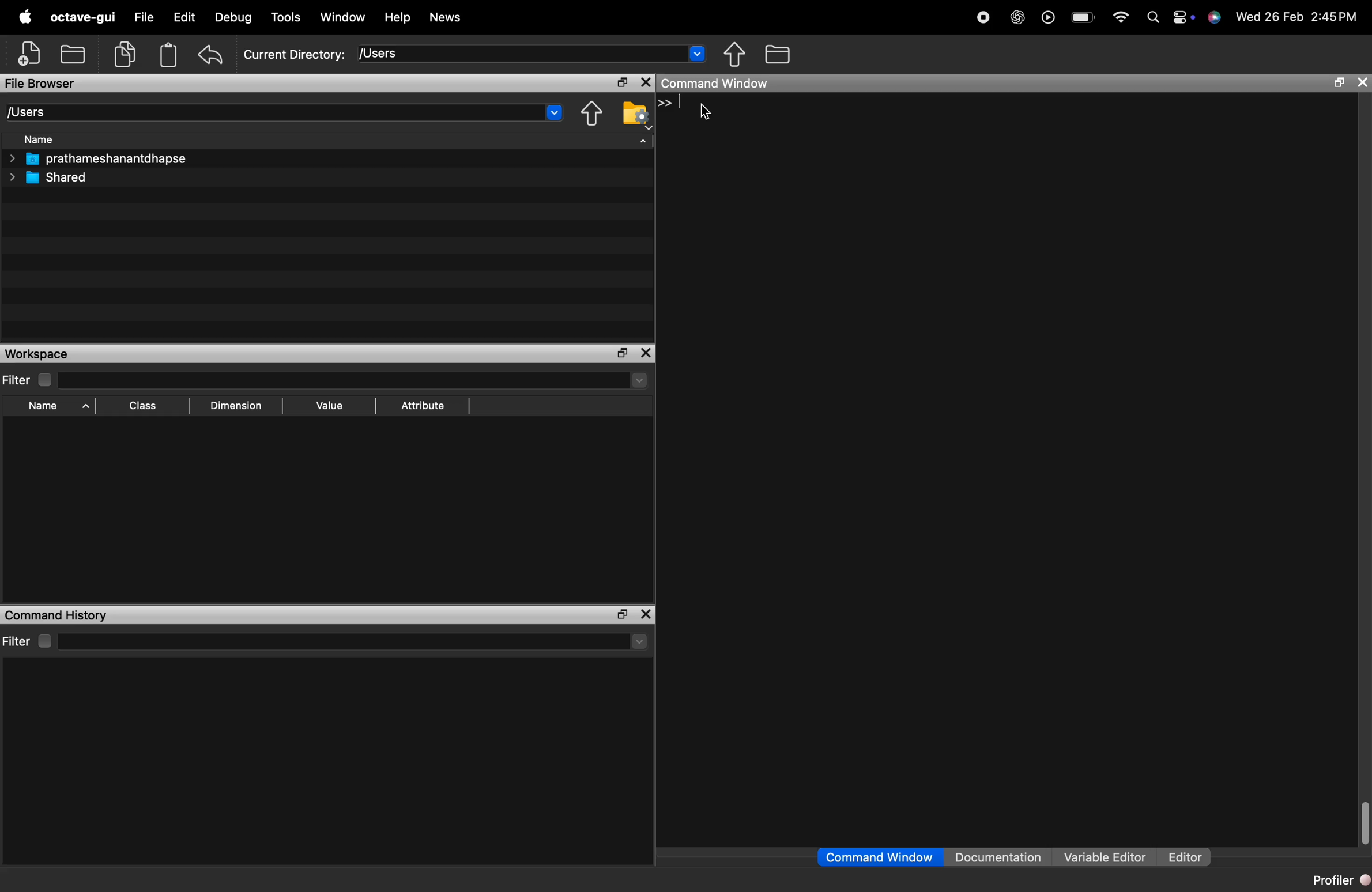 This screenshot has width=1372, height=892. What do you see at coordinates (618, 353) in the screenshot?
I see `maximise` at bounding box center [618, 353].